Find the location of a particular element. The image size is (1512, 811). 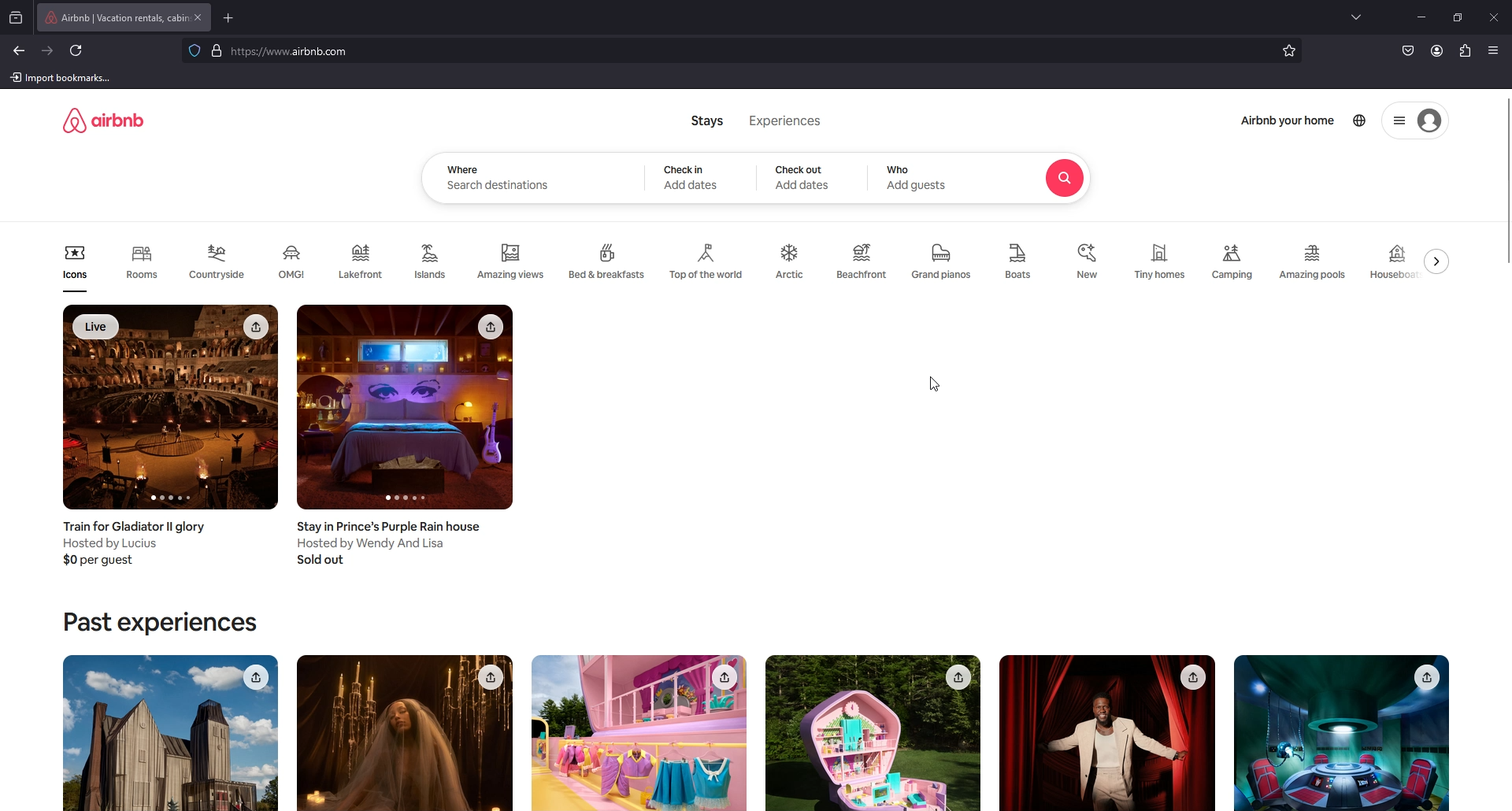

Experiences  is located at coordinates (786, 120).